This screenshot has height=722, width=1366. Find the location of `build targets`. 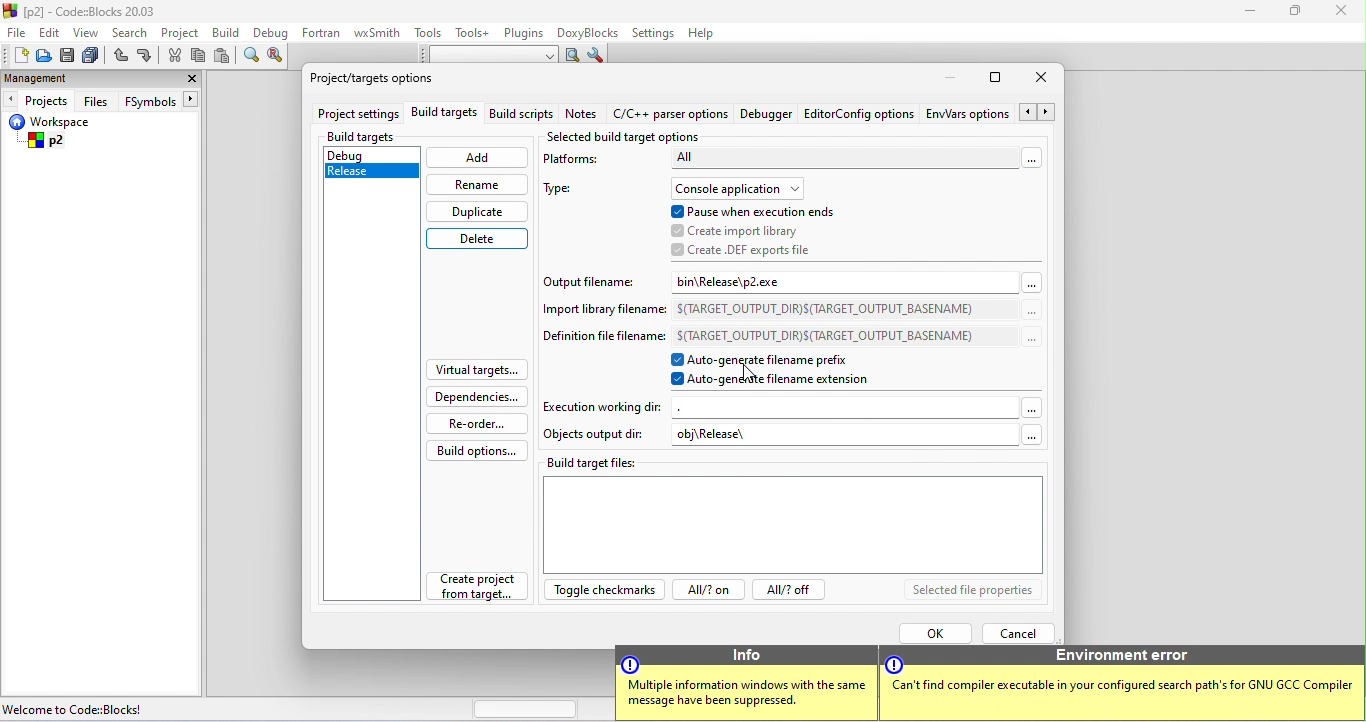

build targets is located at coordinates (444, 116).